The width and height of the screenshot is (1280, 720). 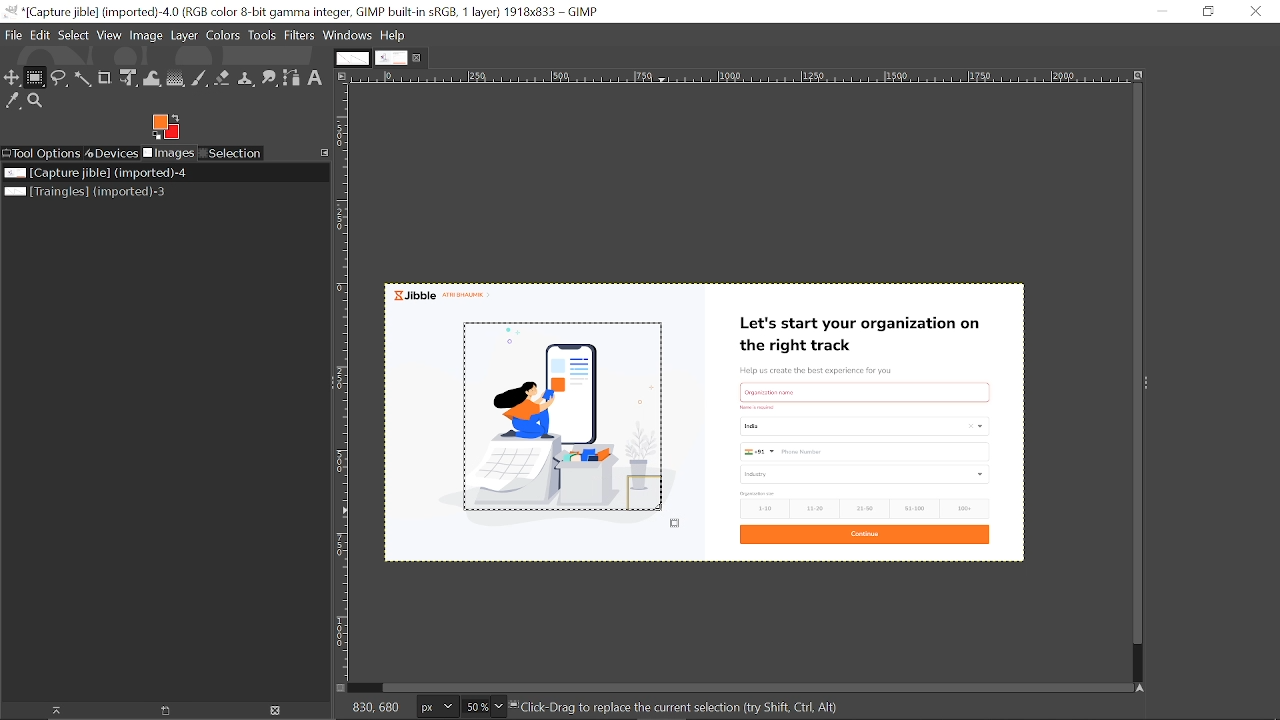 What do you see at coordinates (74, 35) in the screenshot?
I see `Select` at bounding box center [74, 35].